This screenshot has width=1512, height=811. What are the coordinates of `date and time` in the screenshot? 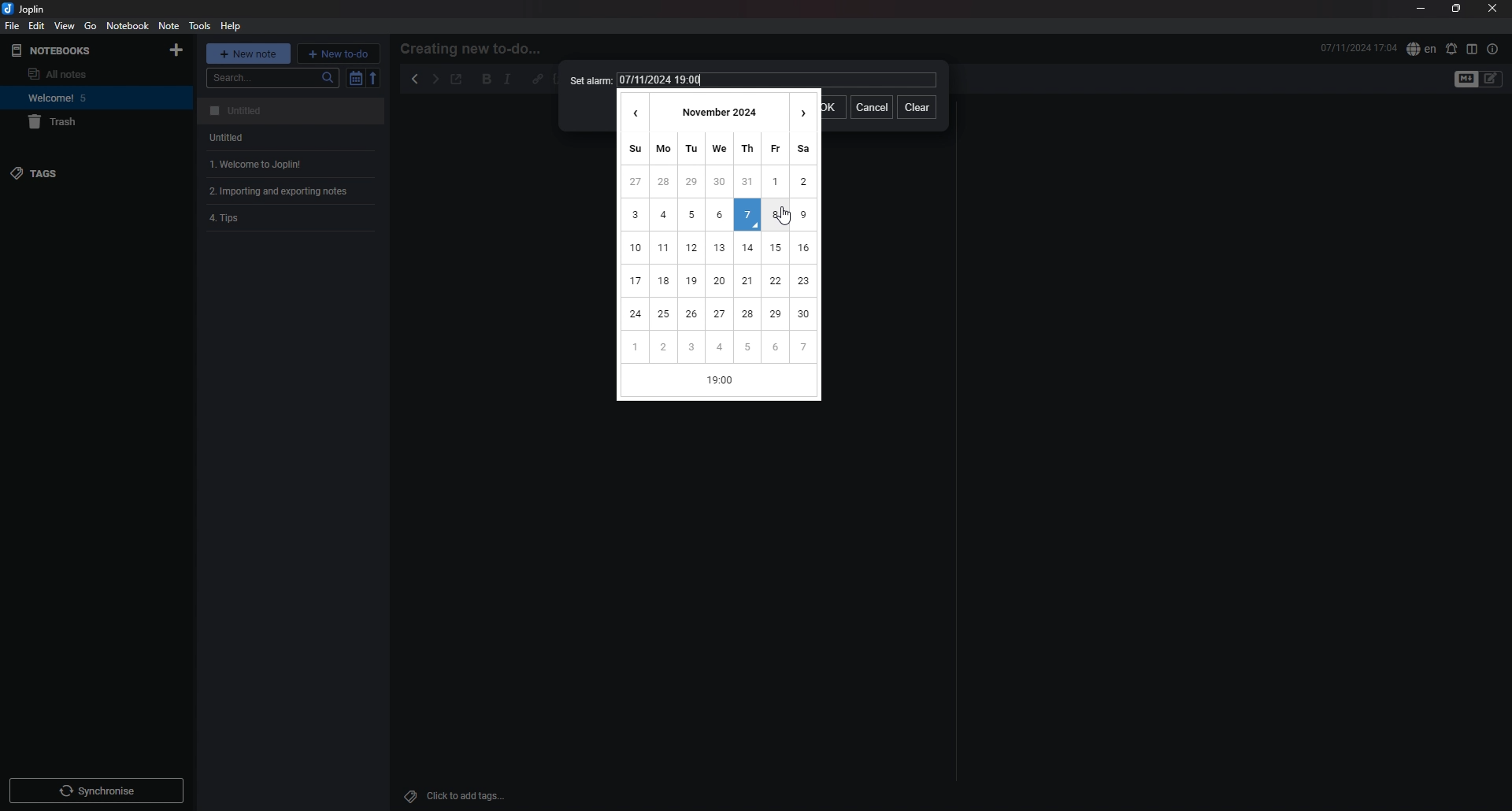 It's located at (1358, 48).